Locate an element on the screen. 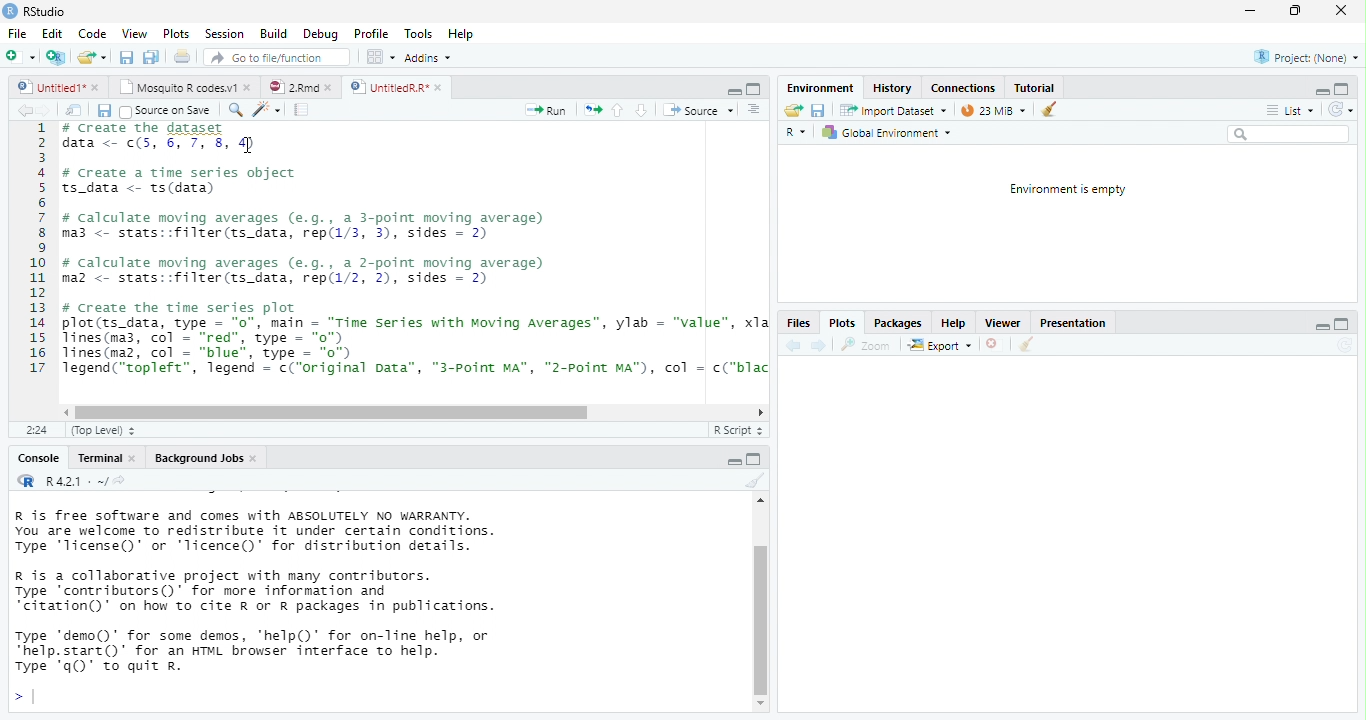 This screenshot has height=720, width=1366. Terminal is located at coordinates (99, 458).